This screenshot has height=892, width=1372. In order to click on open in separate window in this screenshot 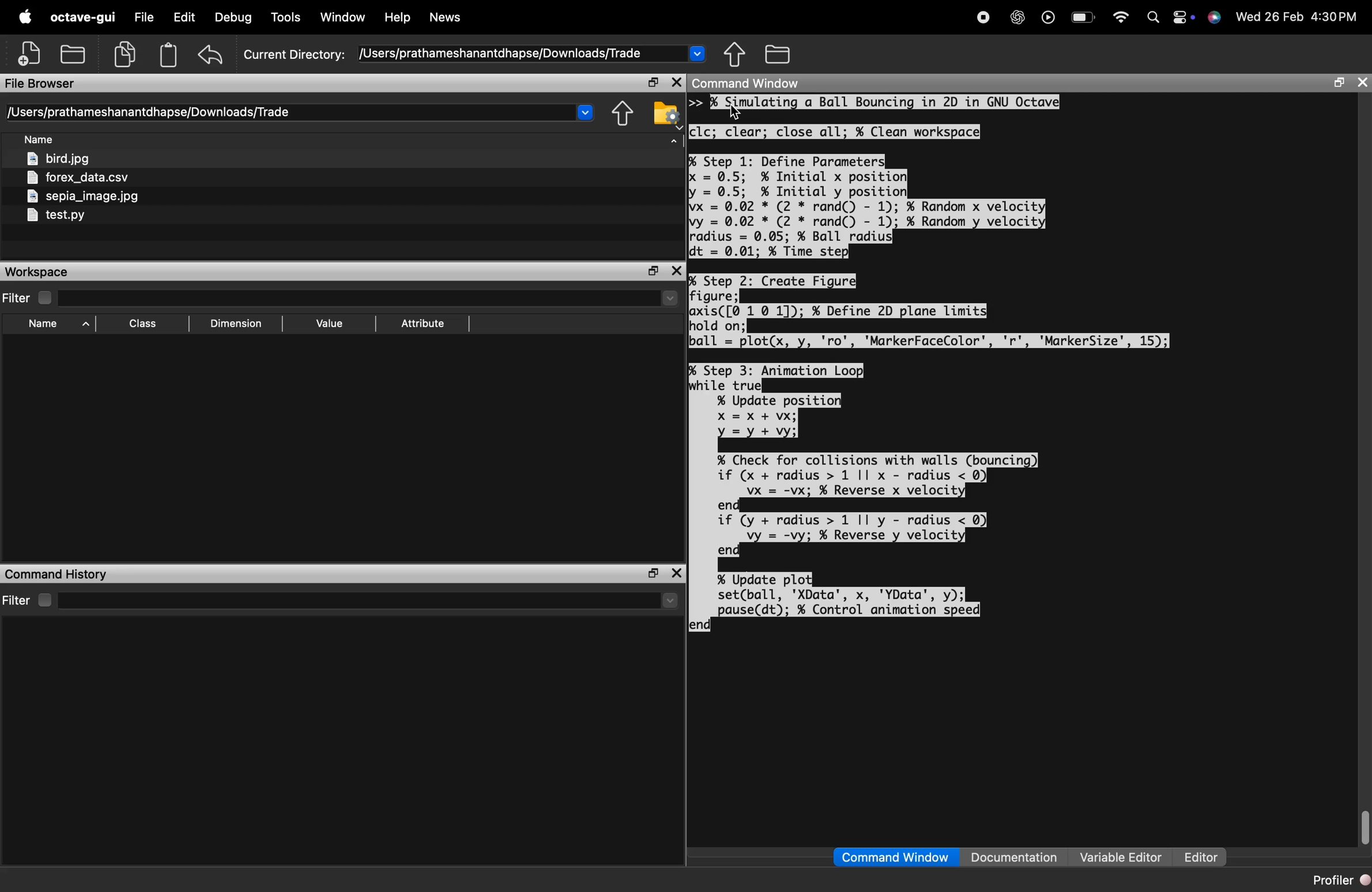, I will do `click(1338, 82)`.